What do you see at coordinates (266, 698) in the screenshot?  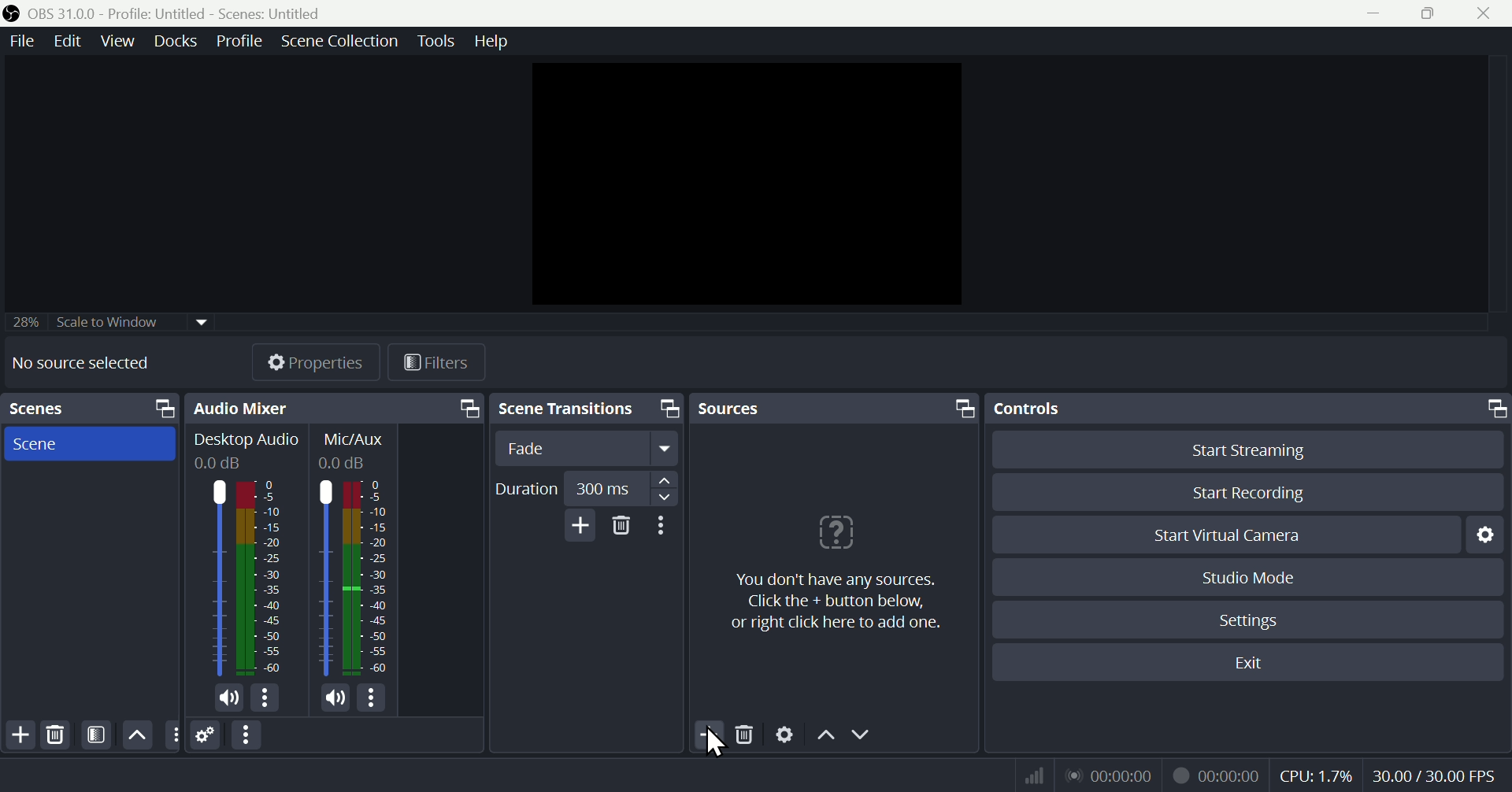 I see `More options` at bounding box center [266, 698].